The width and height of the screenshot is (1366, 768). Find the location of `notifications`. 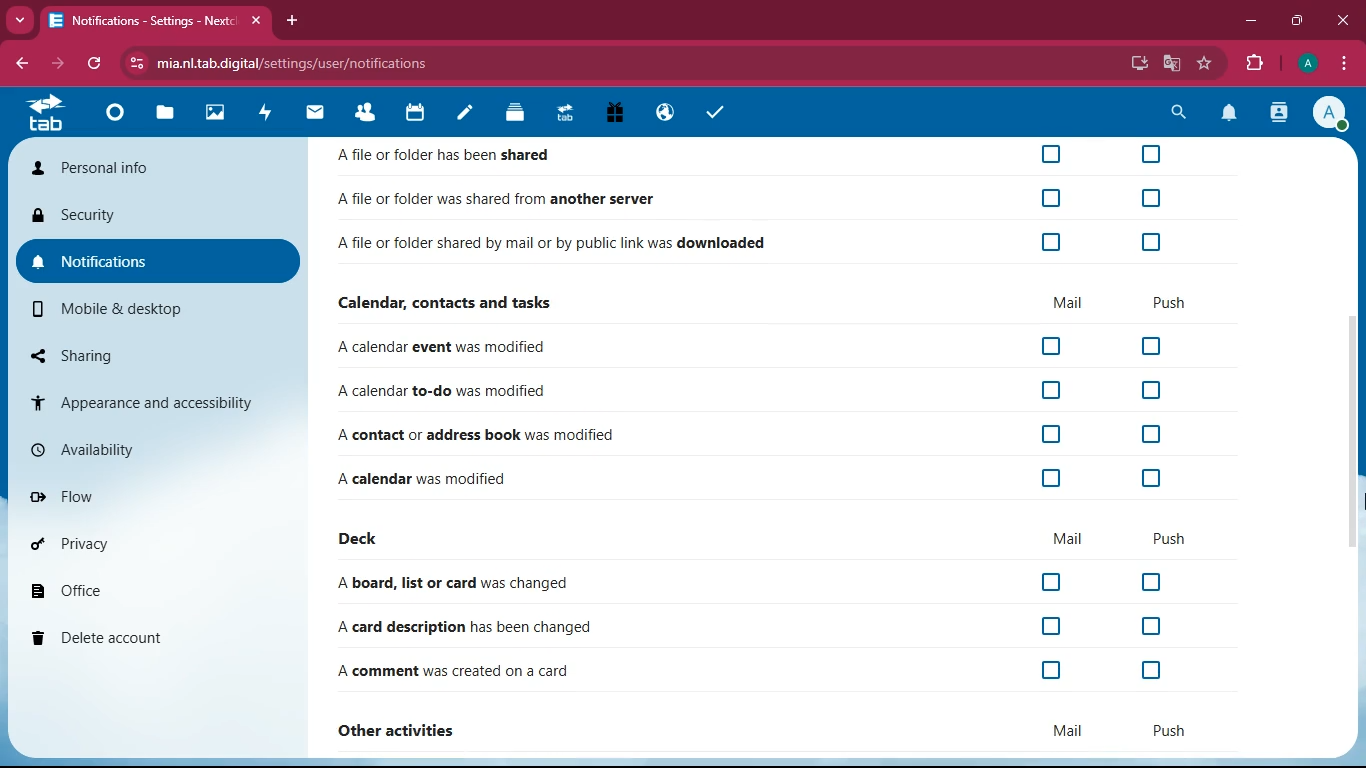

notifications is located at coordinates (1226, 114).